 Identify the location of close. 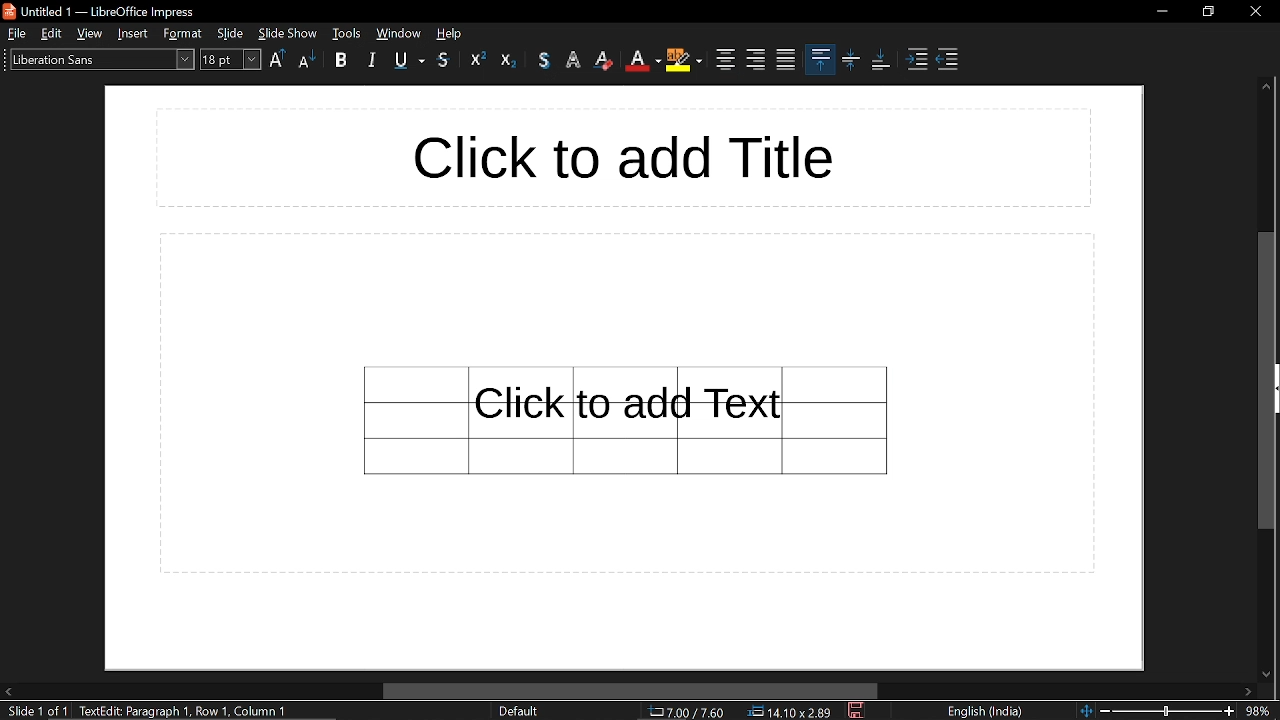
(1254, 9).